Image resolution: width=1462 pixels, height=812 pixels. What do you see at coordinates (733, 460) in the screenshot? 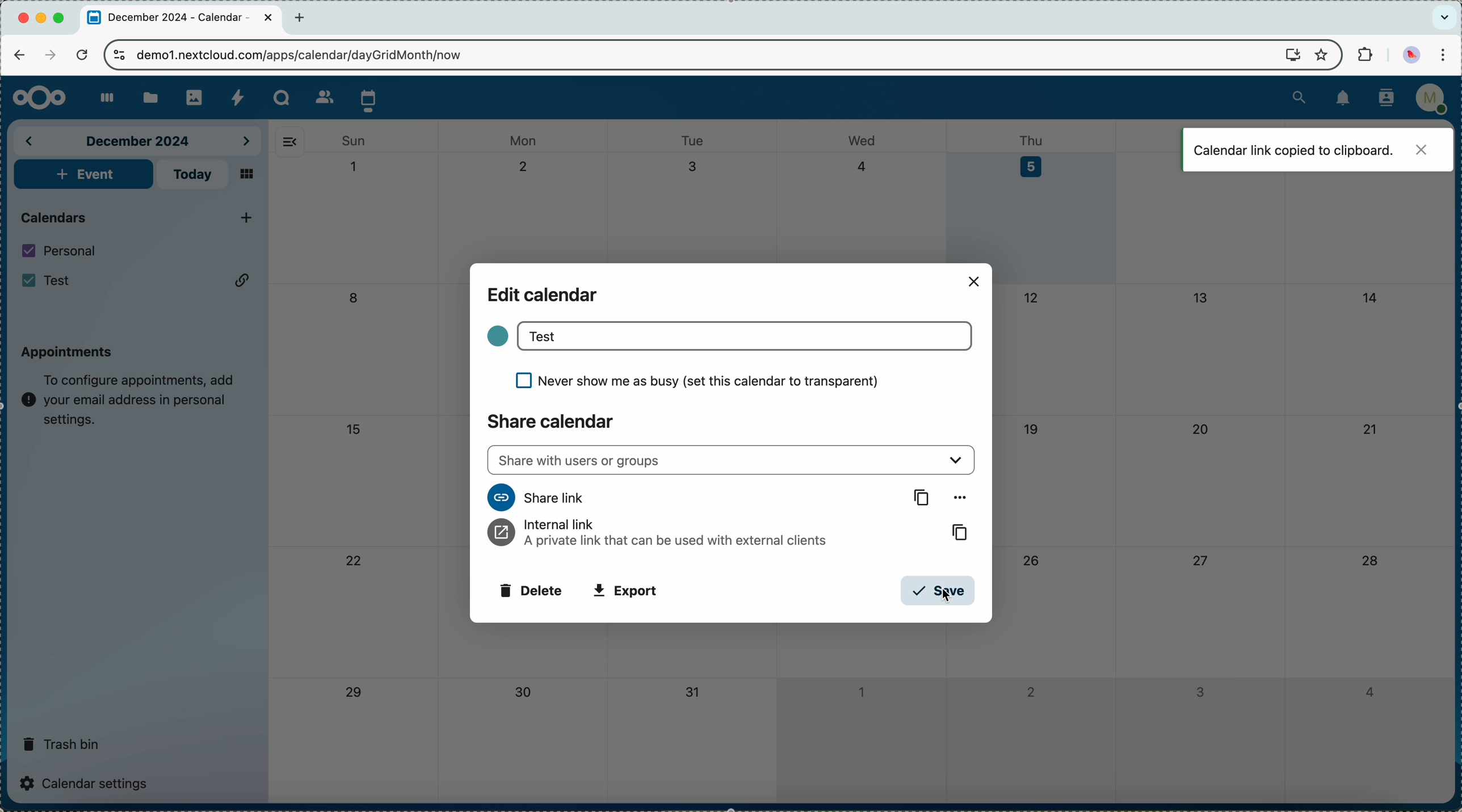
I see `share with users or groups` at bounding box center [733, 460].